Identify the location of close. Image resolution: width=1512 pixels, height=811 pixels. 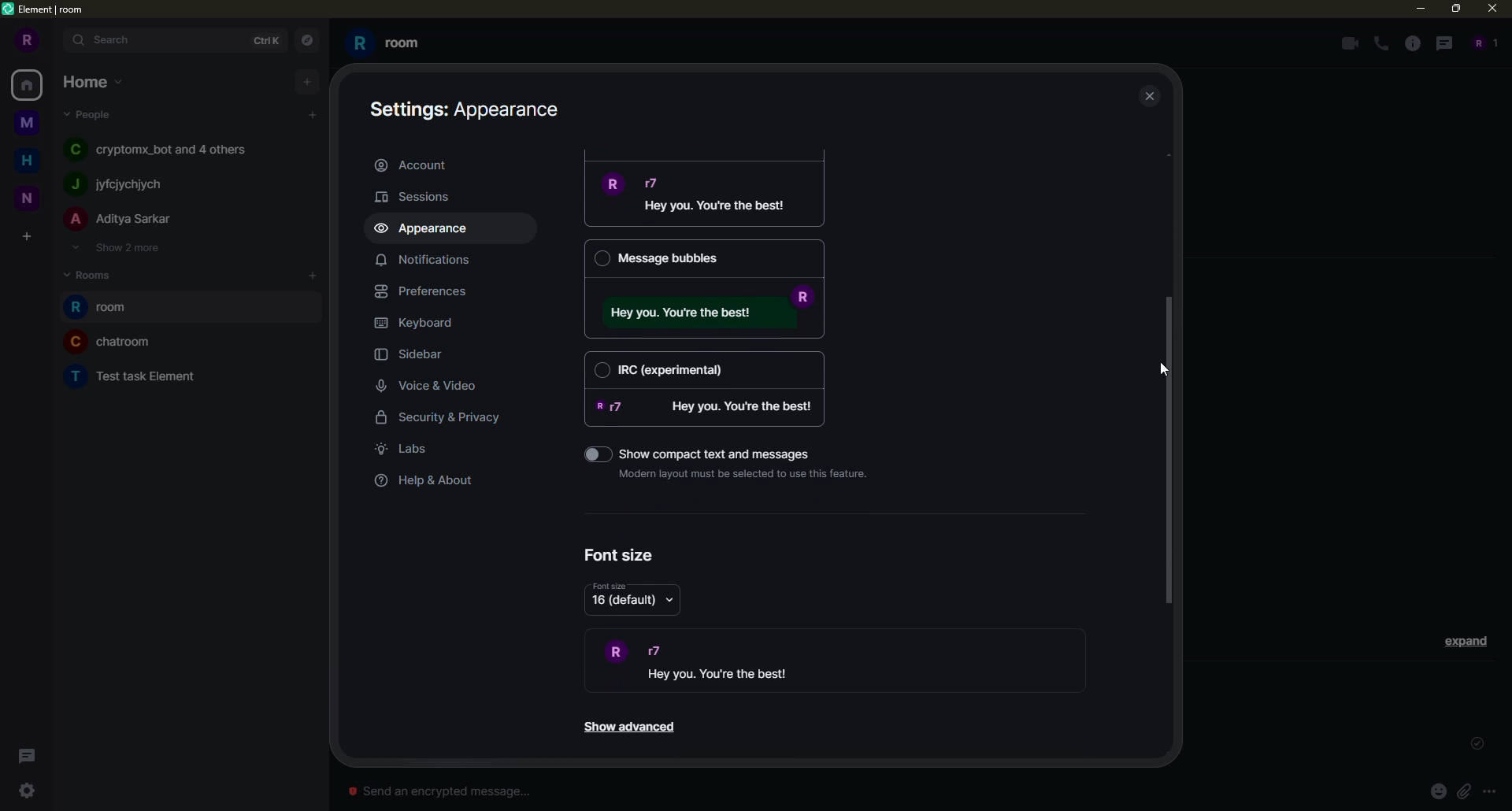
(1495, 8).